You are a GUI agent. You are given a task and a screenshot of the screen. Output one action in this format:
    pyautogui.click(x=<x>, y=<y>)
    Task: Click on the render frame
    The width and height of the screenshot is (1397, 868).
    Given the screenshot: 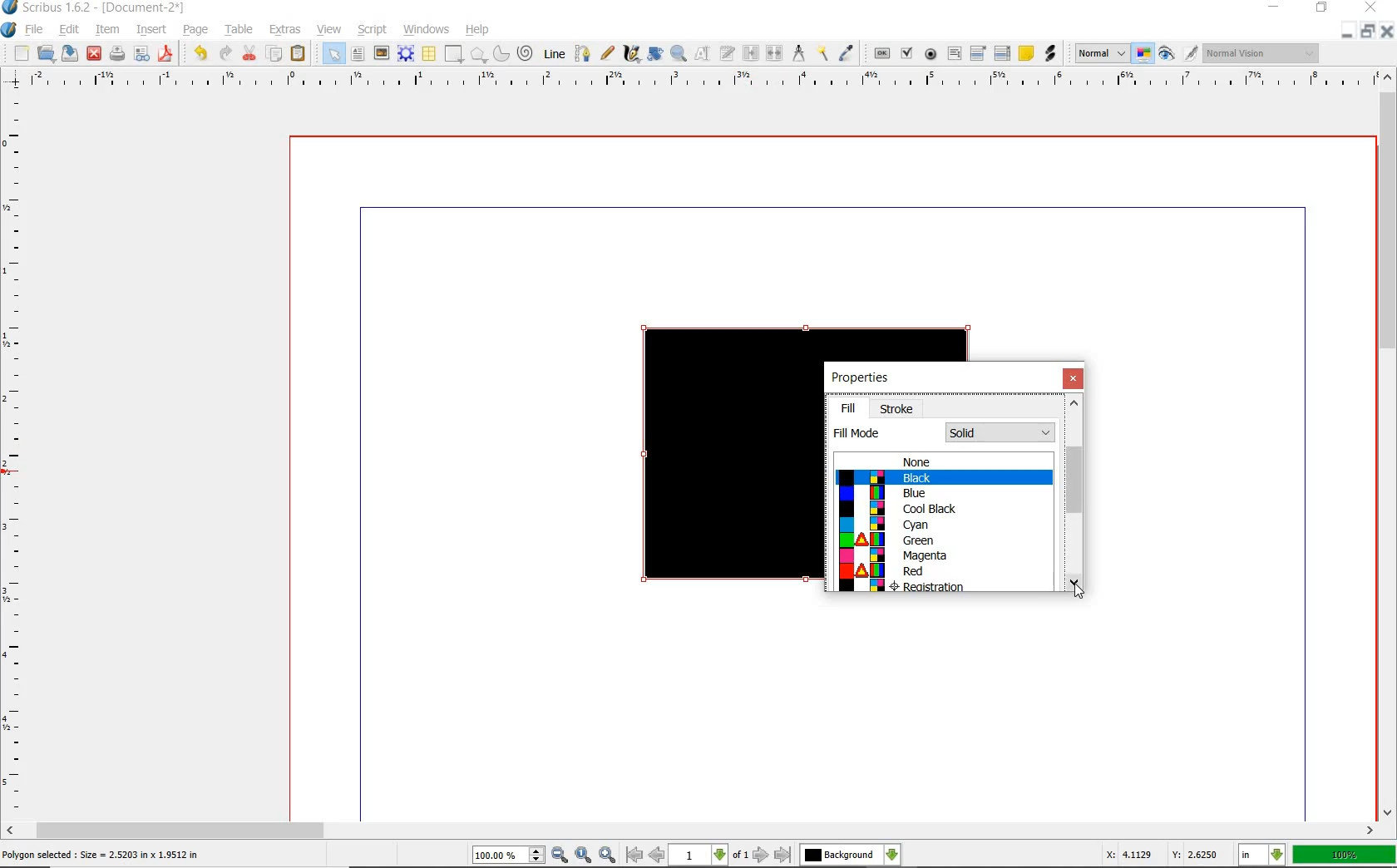 What is the action you would take?
    pyautogui.click(x=404, y=53)
    